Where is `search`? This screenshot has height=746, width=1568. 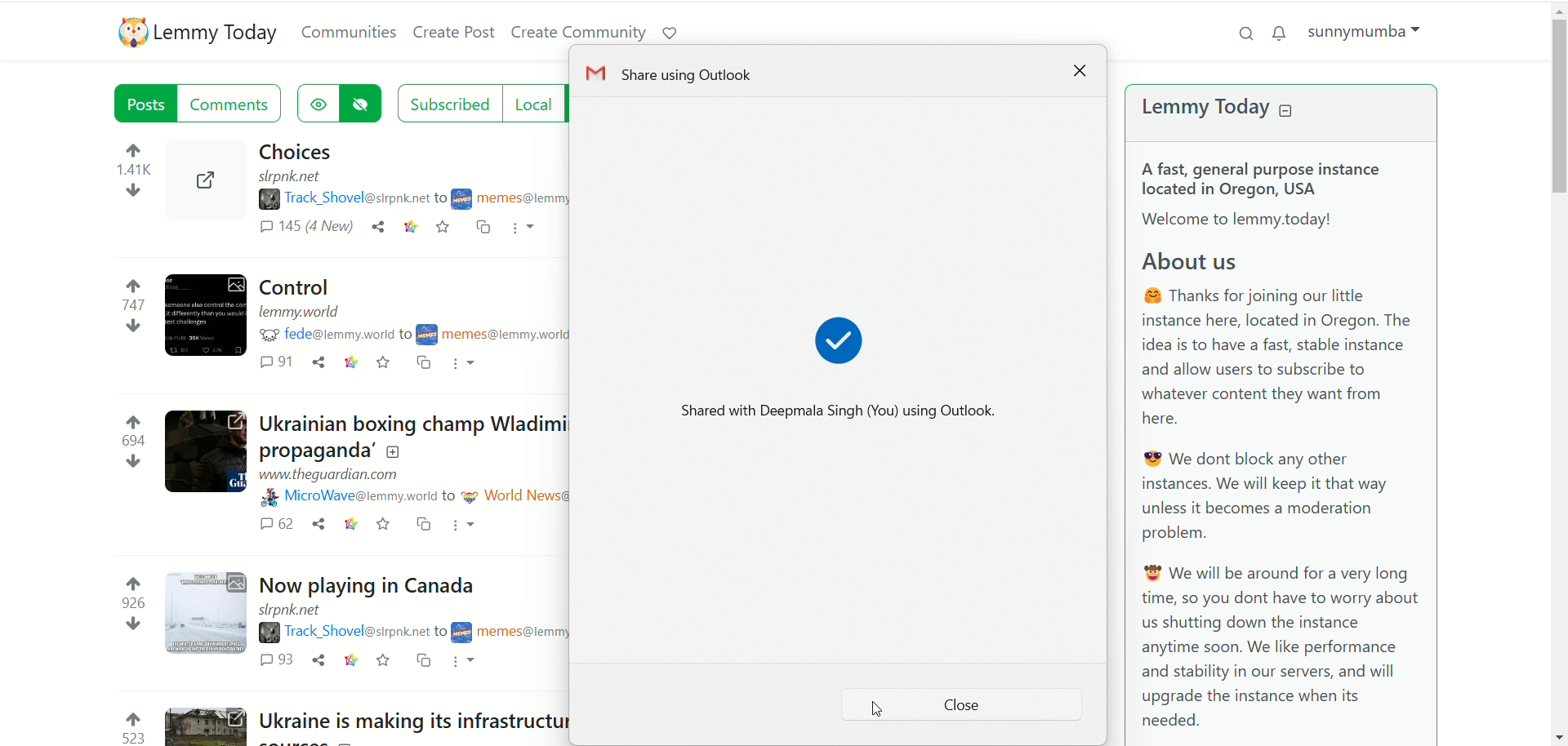
search is located at coordinates (1239, 33).